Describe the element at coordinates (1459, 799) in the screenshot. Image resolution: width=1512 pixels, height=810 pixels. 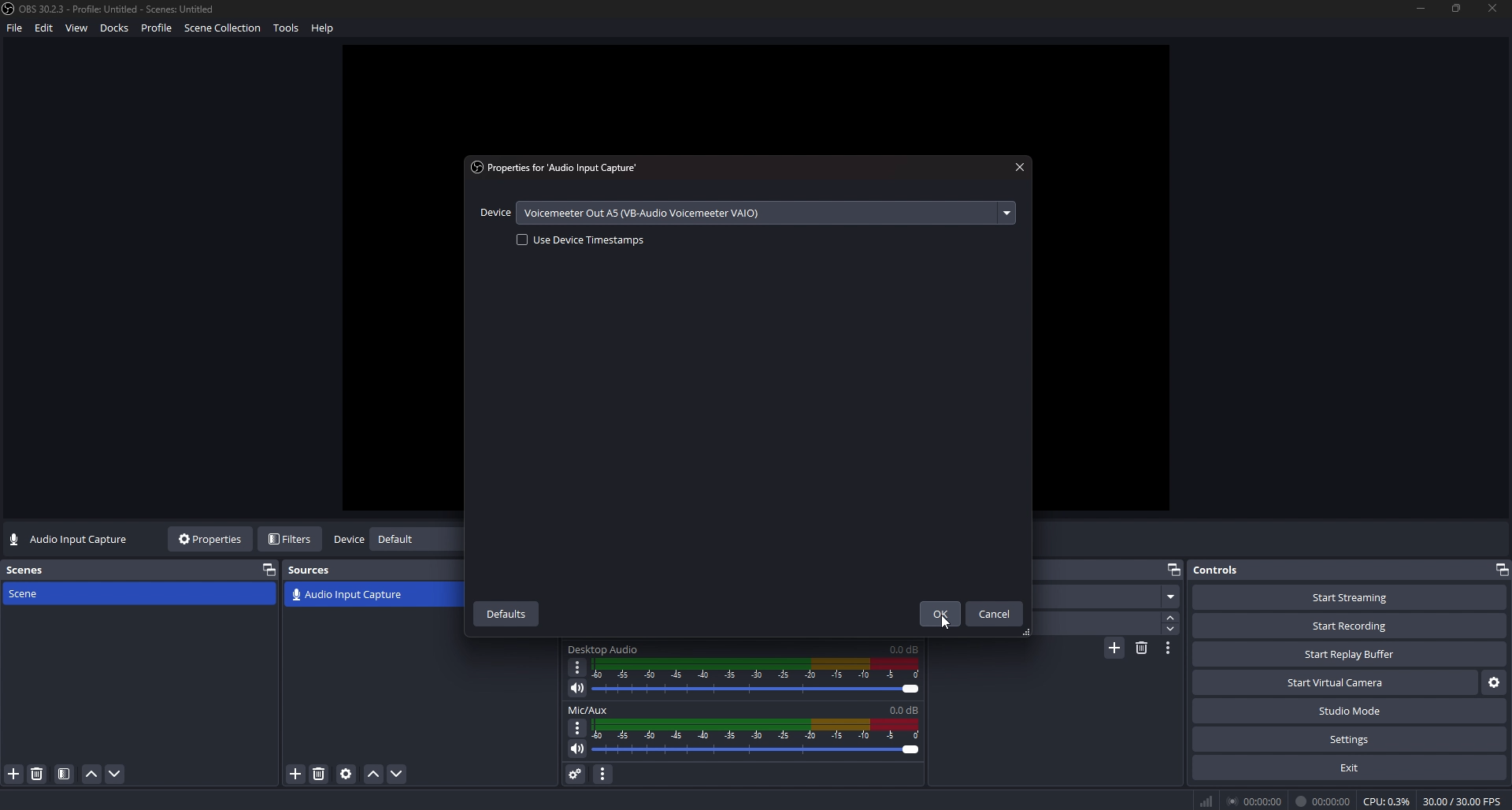
I see `D.00 7 30.00 FPS` at that location.